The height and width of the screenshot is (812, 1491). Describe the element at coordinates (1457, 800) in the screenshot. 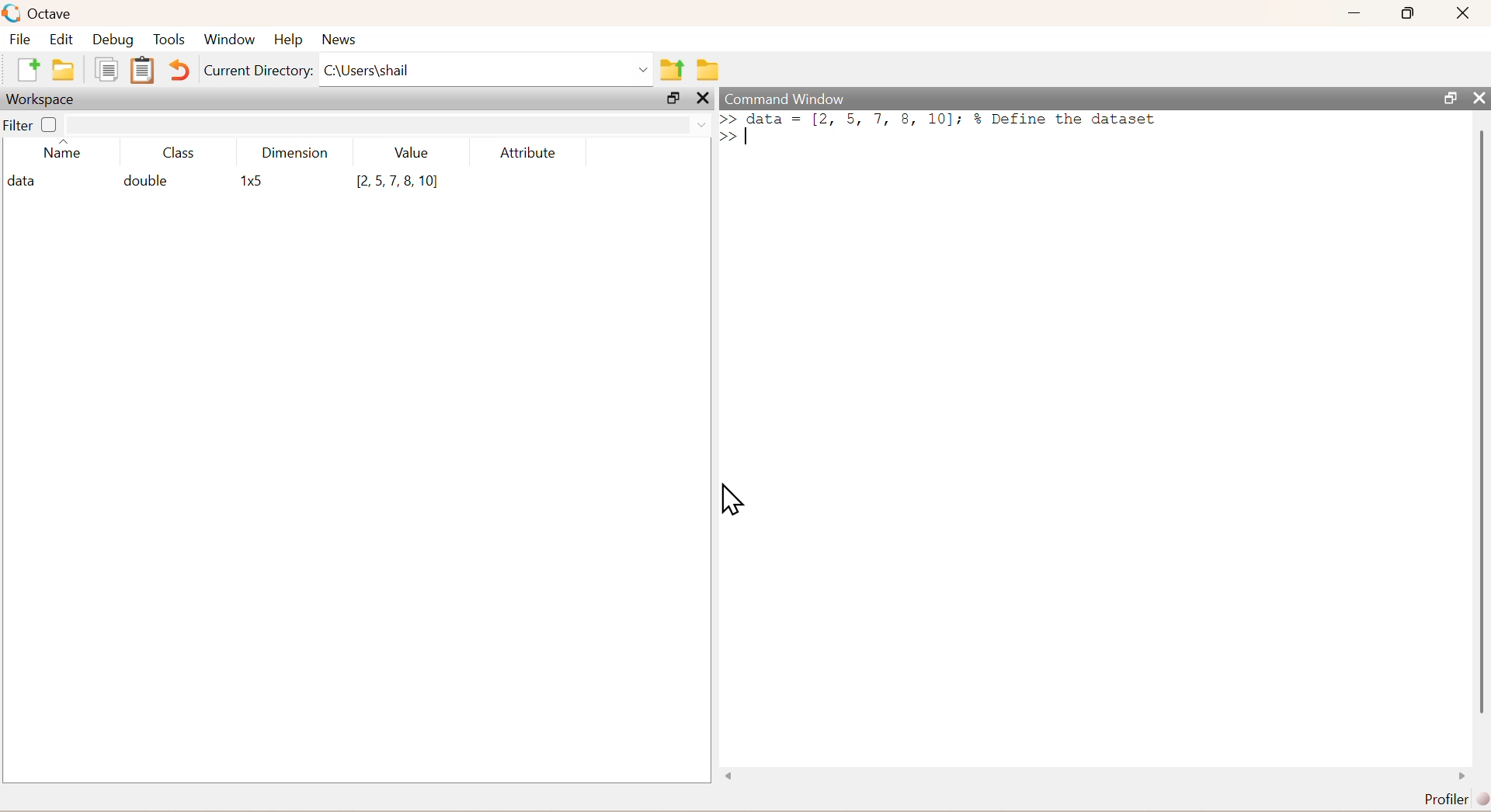

I see `Profiler` at that location.